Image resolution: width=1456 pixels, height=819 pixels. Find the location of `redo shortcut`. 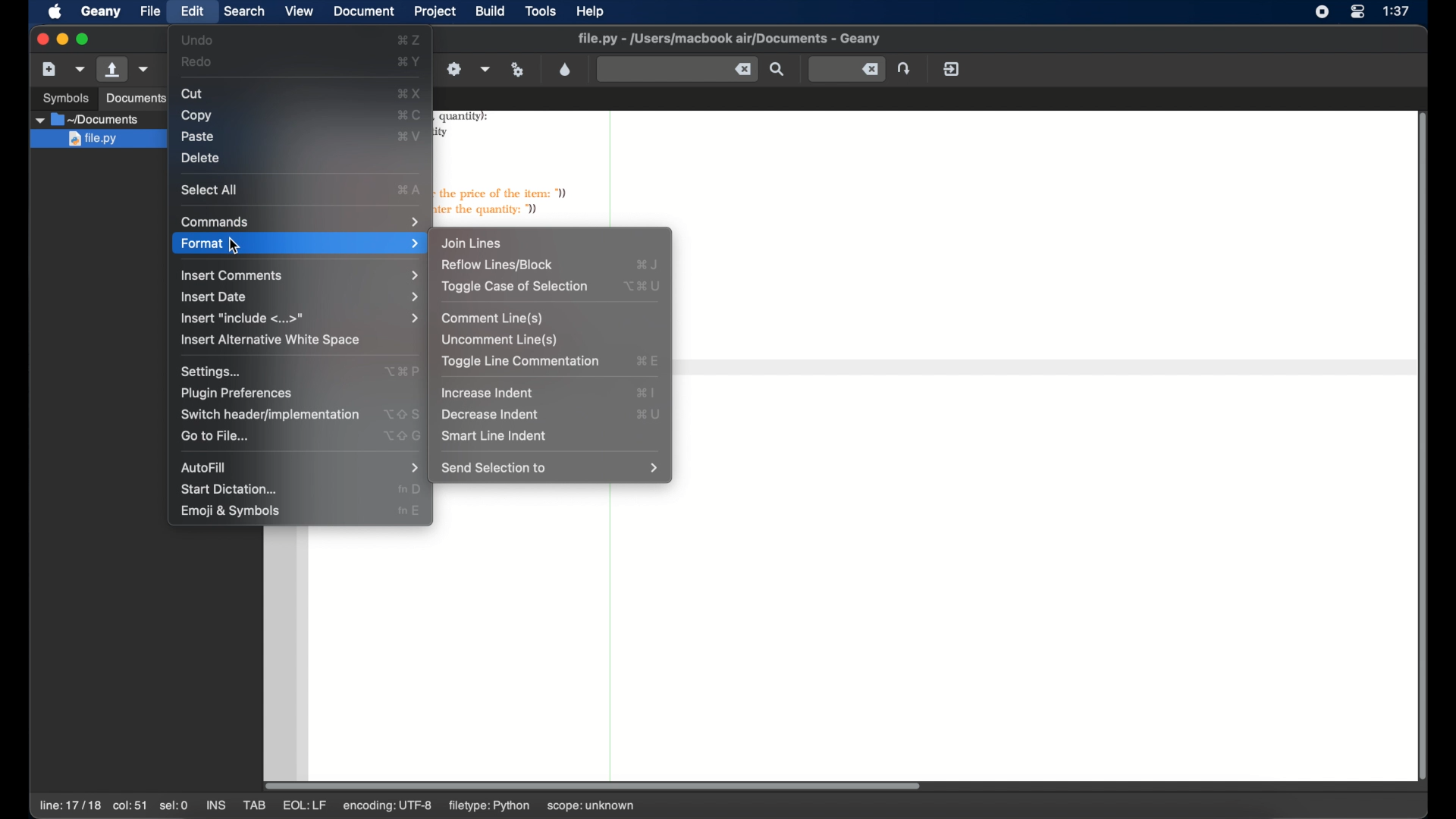

redo shortcut is located at coordinates (409, 61).